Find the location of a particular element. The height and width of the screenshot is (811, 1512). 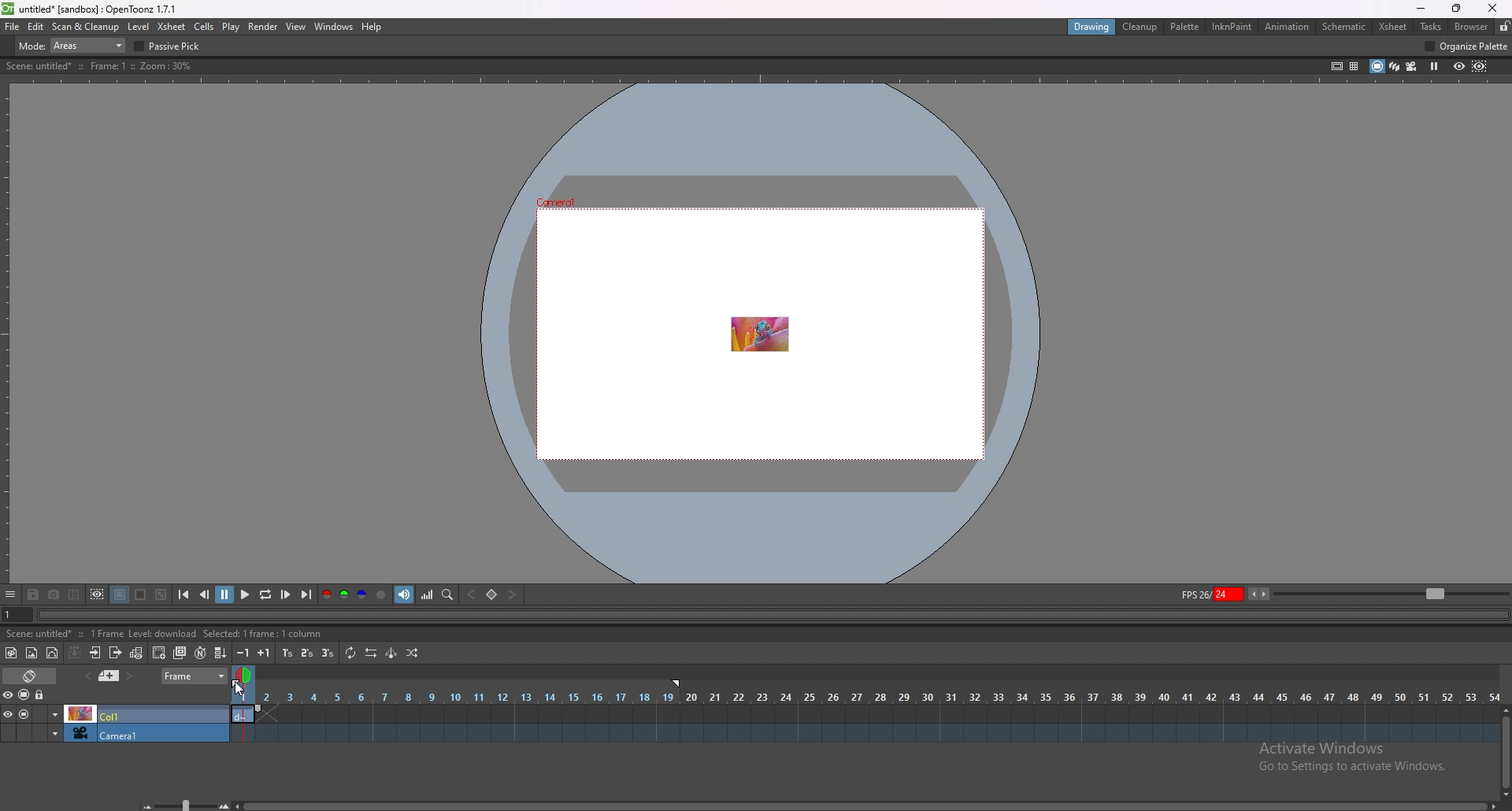

camera stand view is located at coordinates (1376, 66).